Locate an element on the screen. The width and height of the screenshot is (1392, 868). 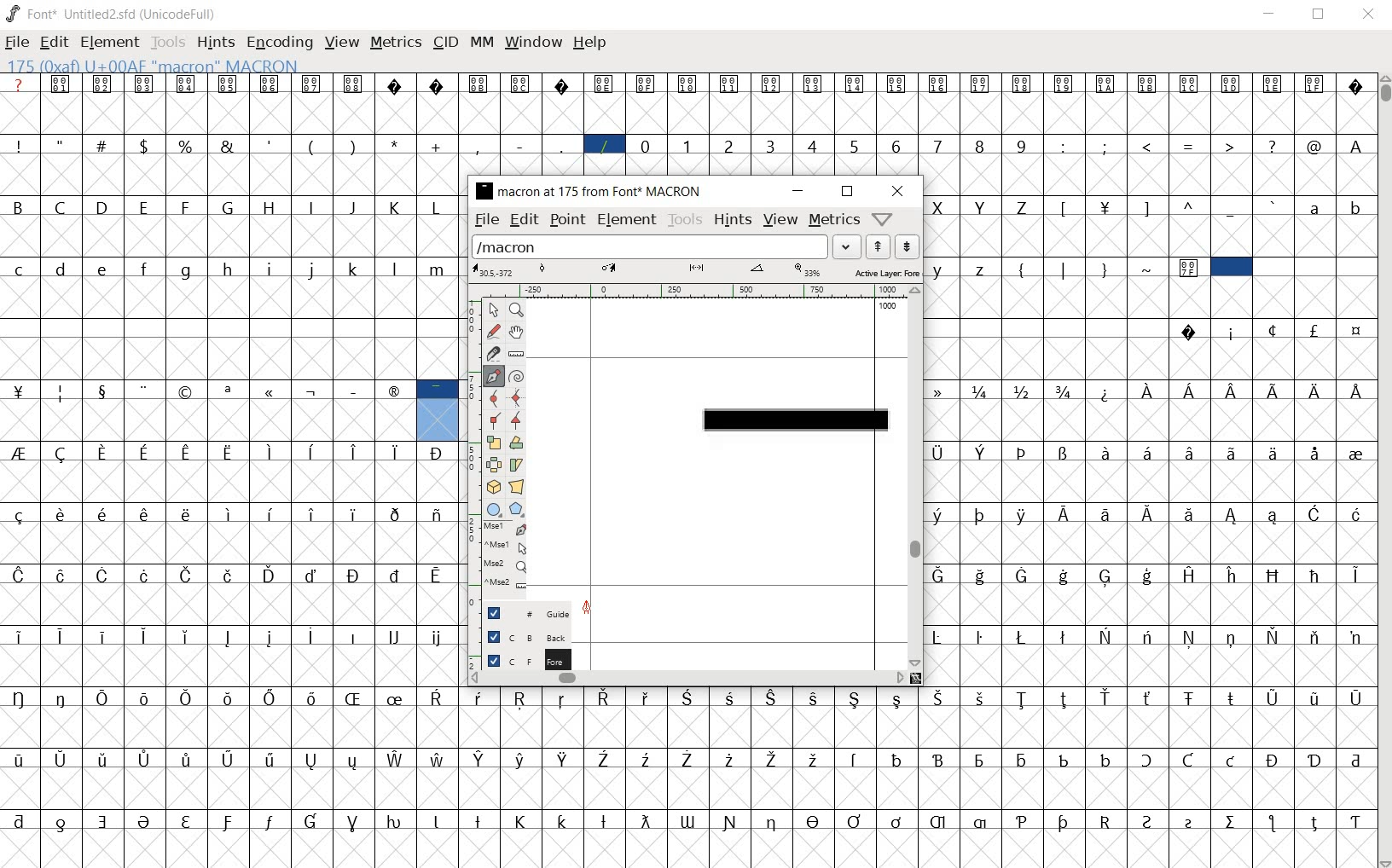
view is located at coordinates (780, 222).